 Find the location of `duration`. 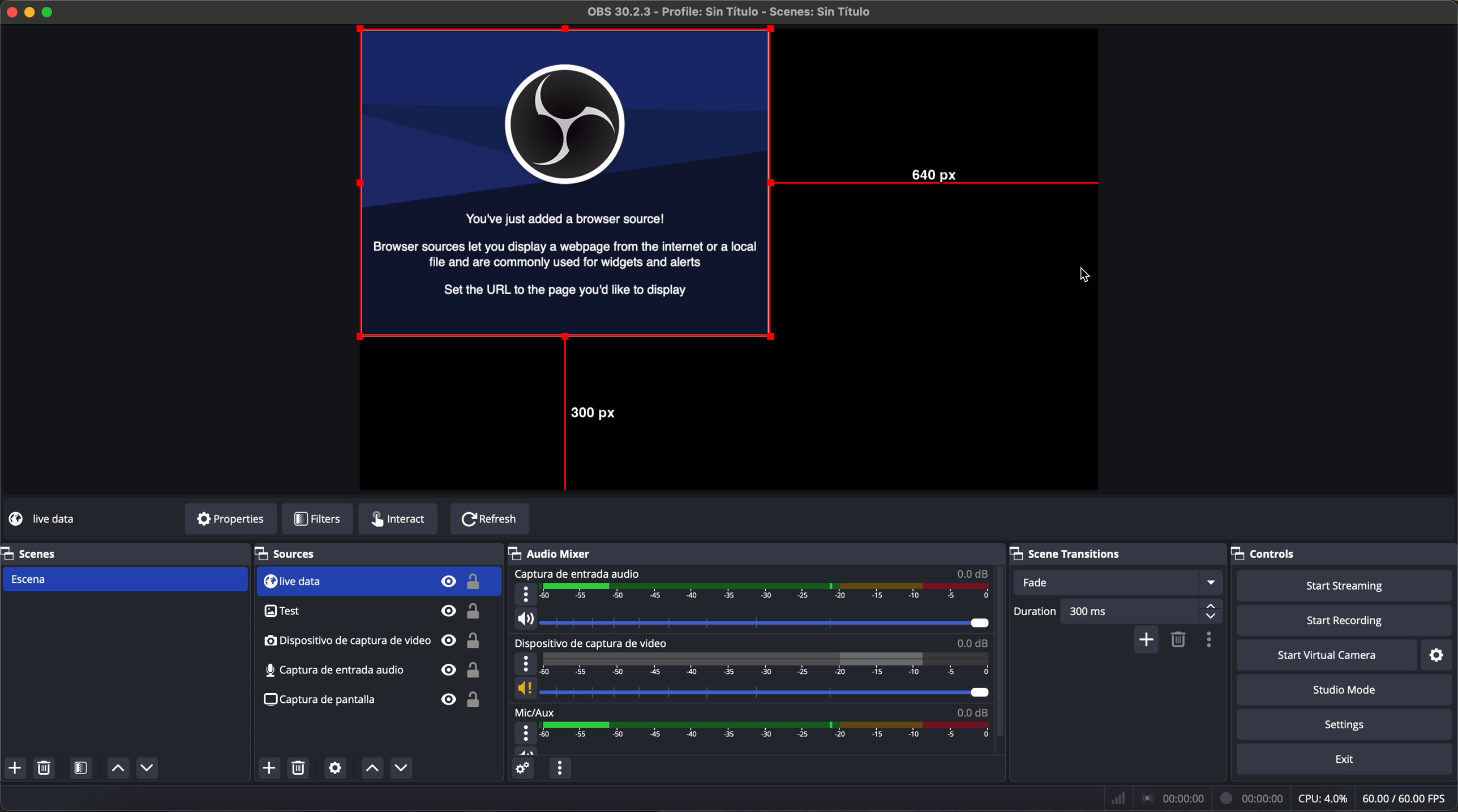

duration is located at coordinates (1037, 613).